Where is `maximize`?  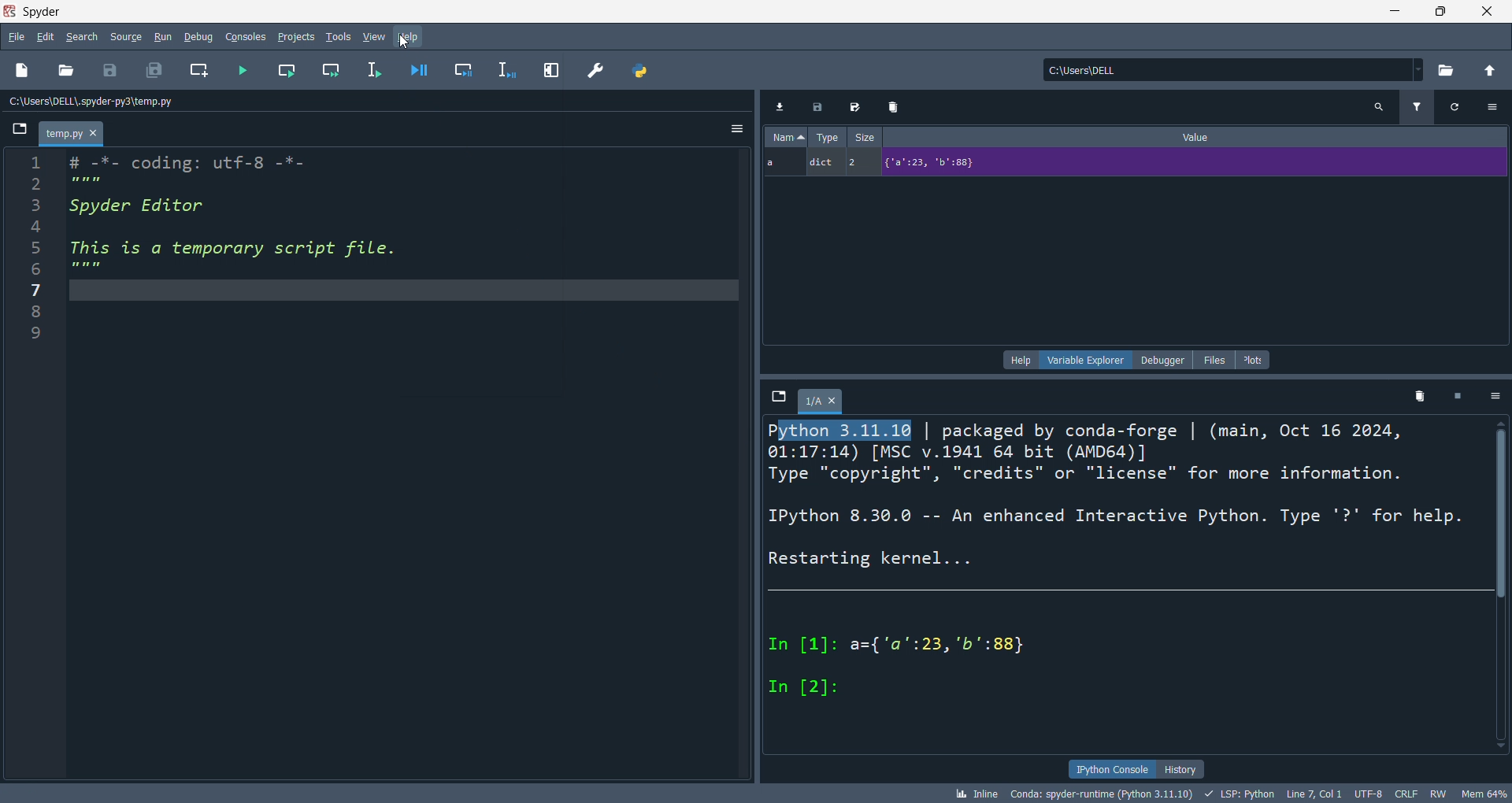
maximize is located at coordinates (1438, 12).